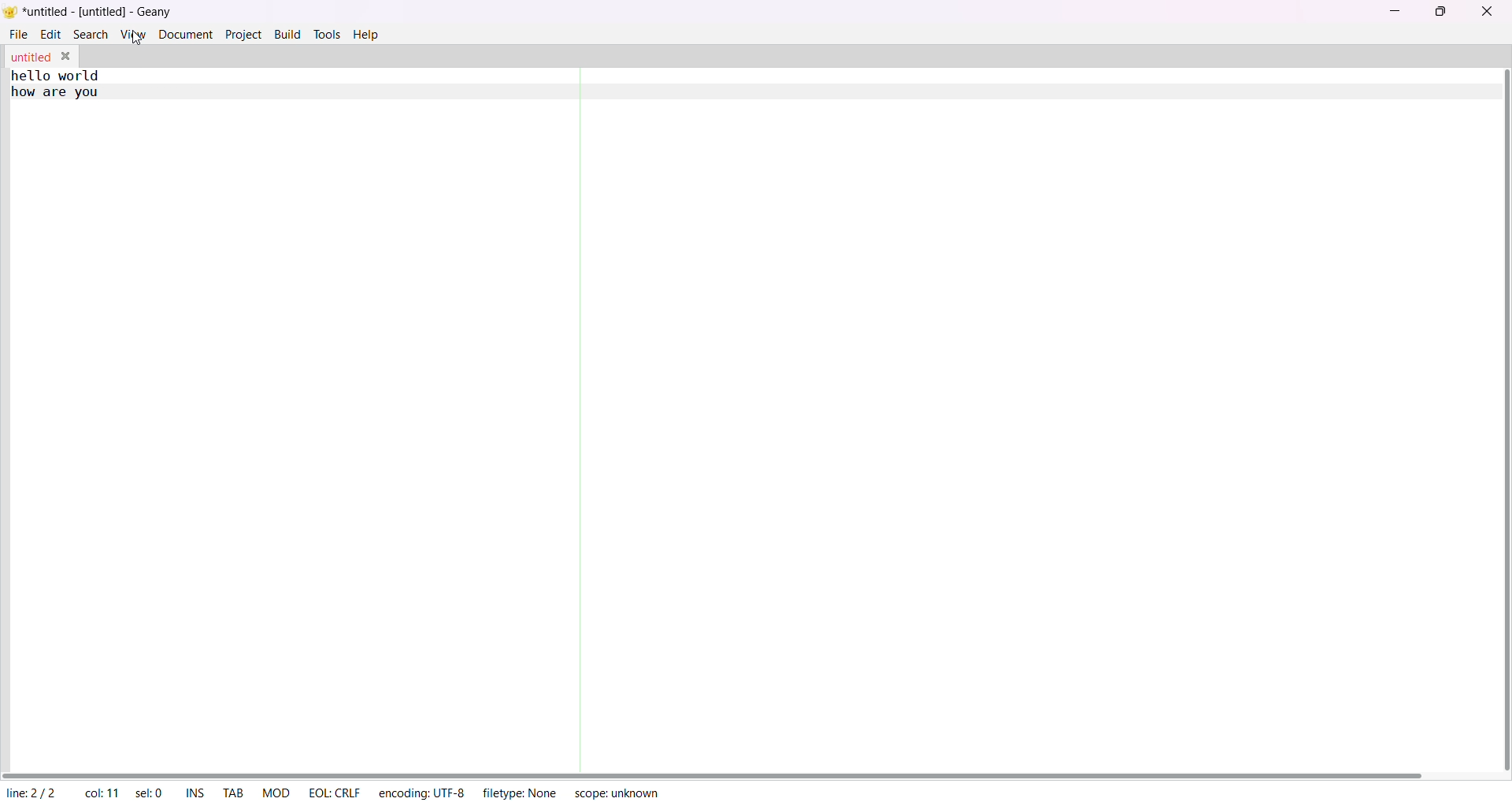 The image size is (1512, 802). I want to click on text, so click(67, 86).